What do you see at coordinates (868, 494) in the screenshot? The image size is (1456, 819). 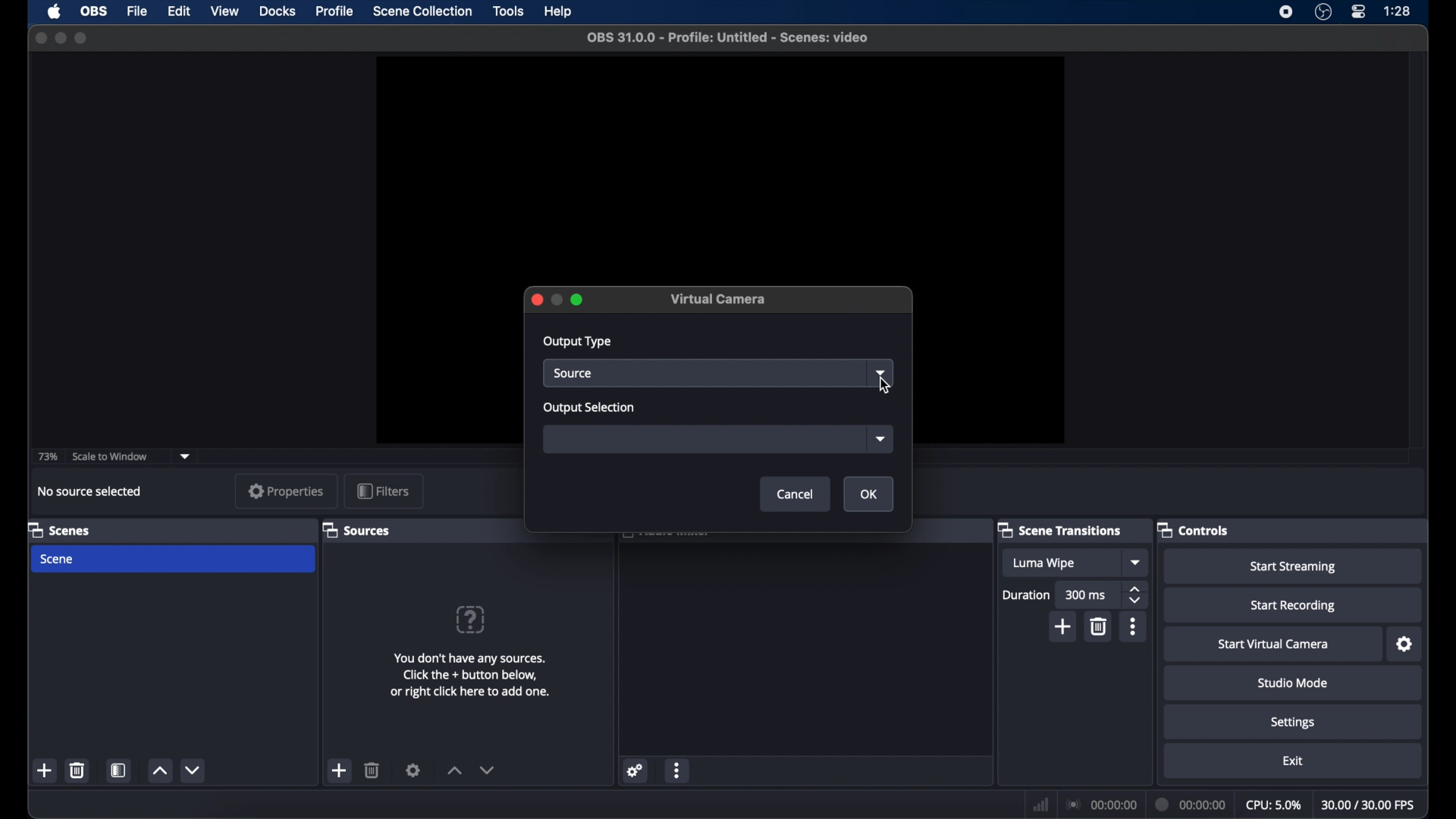 I see `ok` at bounding box center [868, 494].